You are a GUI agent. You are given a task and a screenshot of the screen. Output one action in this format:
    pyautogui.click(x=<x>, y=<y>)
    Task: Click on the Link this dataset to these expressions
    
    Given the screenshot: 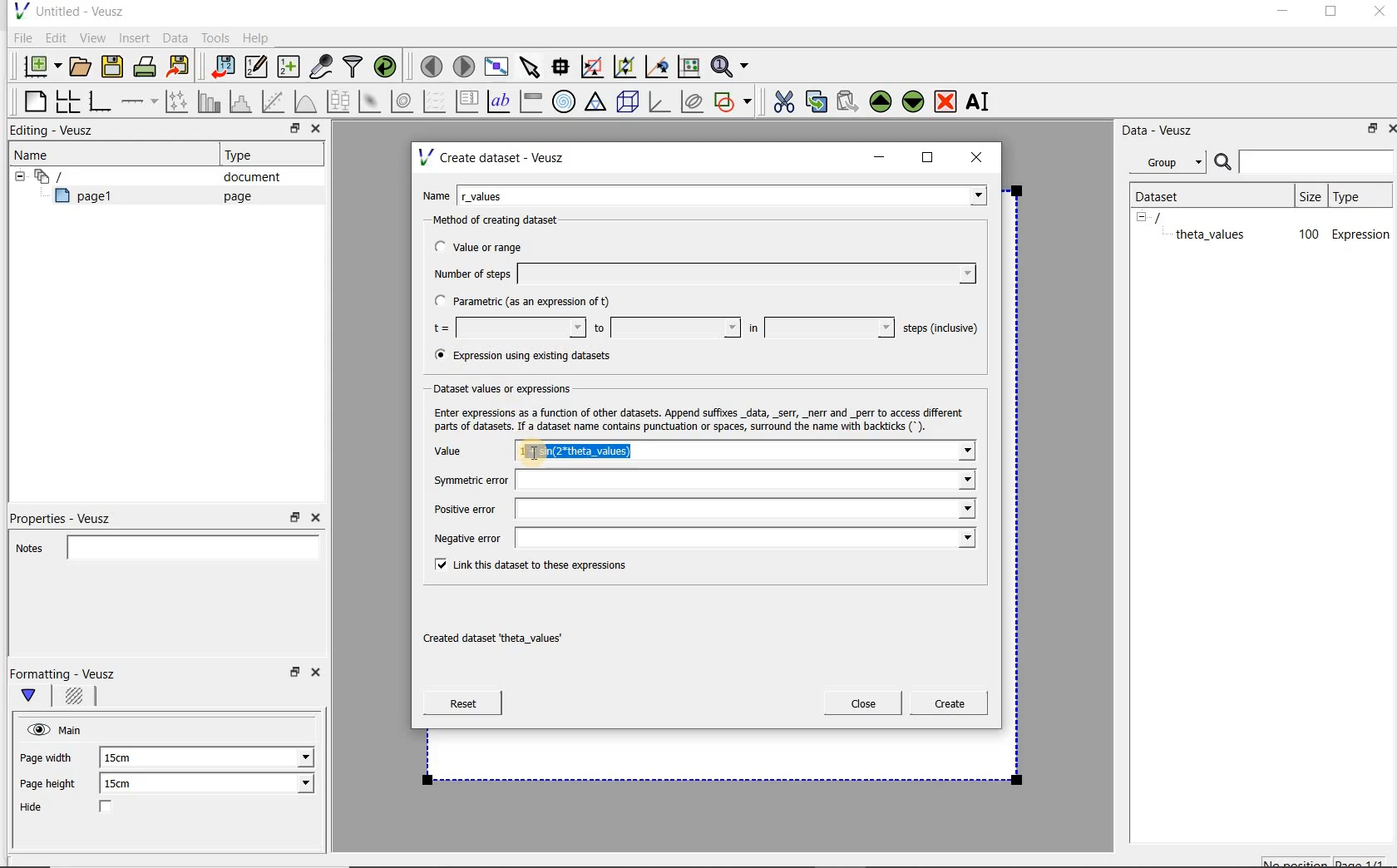 What is the action you would take?
    pyautogui.click(x=527, y=564)
    